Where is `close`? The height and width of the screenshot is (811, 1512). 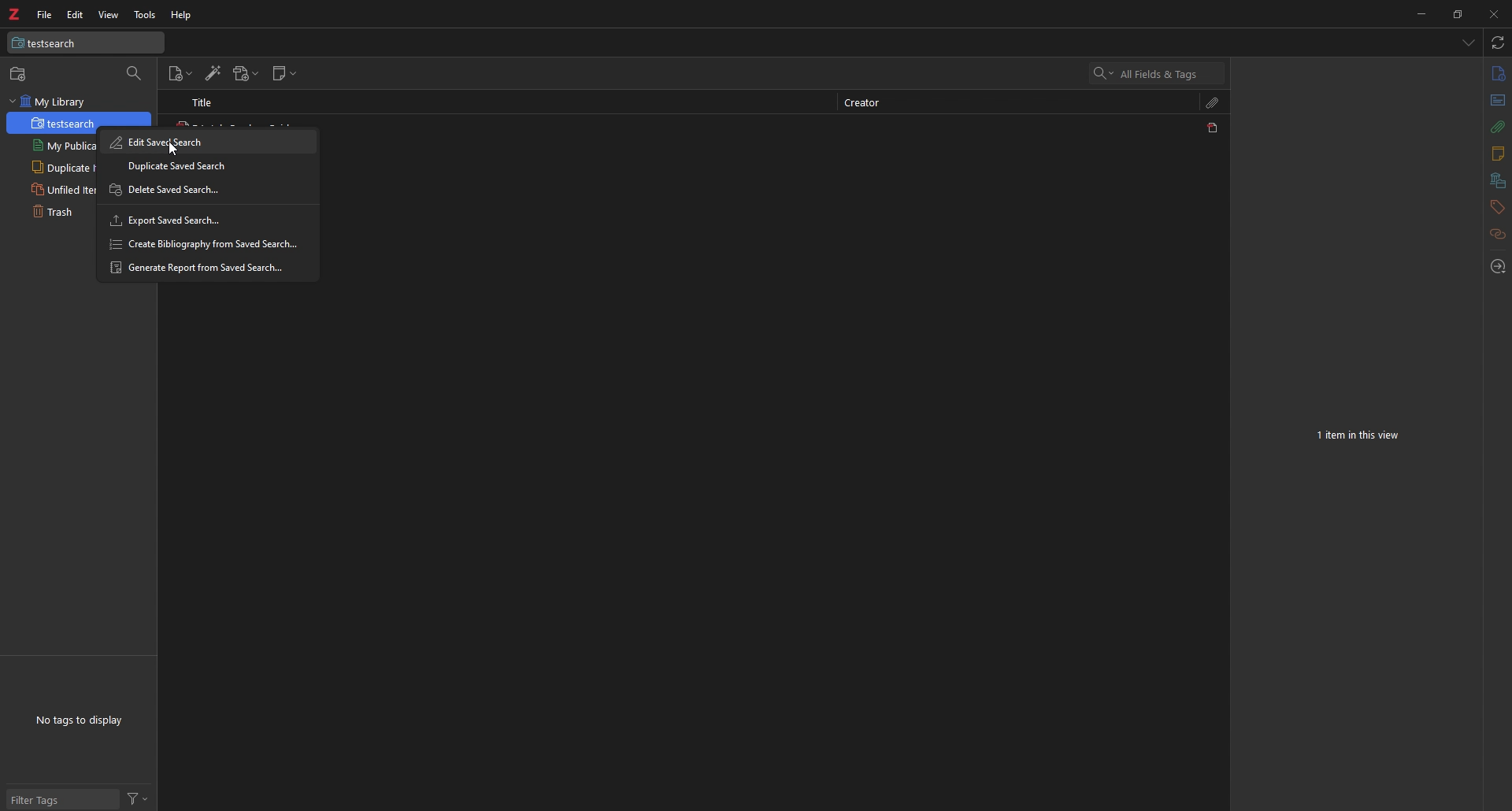 close is located at coordinates (1492, 13).